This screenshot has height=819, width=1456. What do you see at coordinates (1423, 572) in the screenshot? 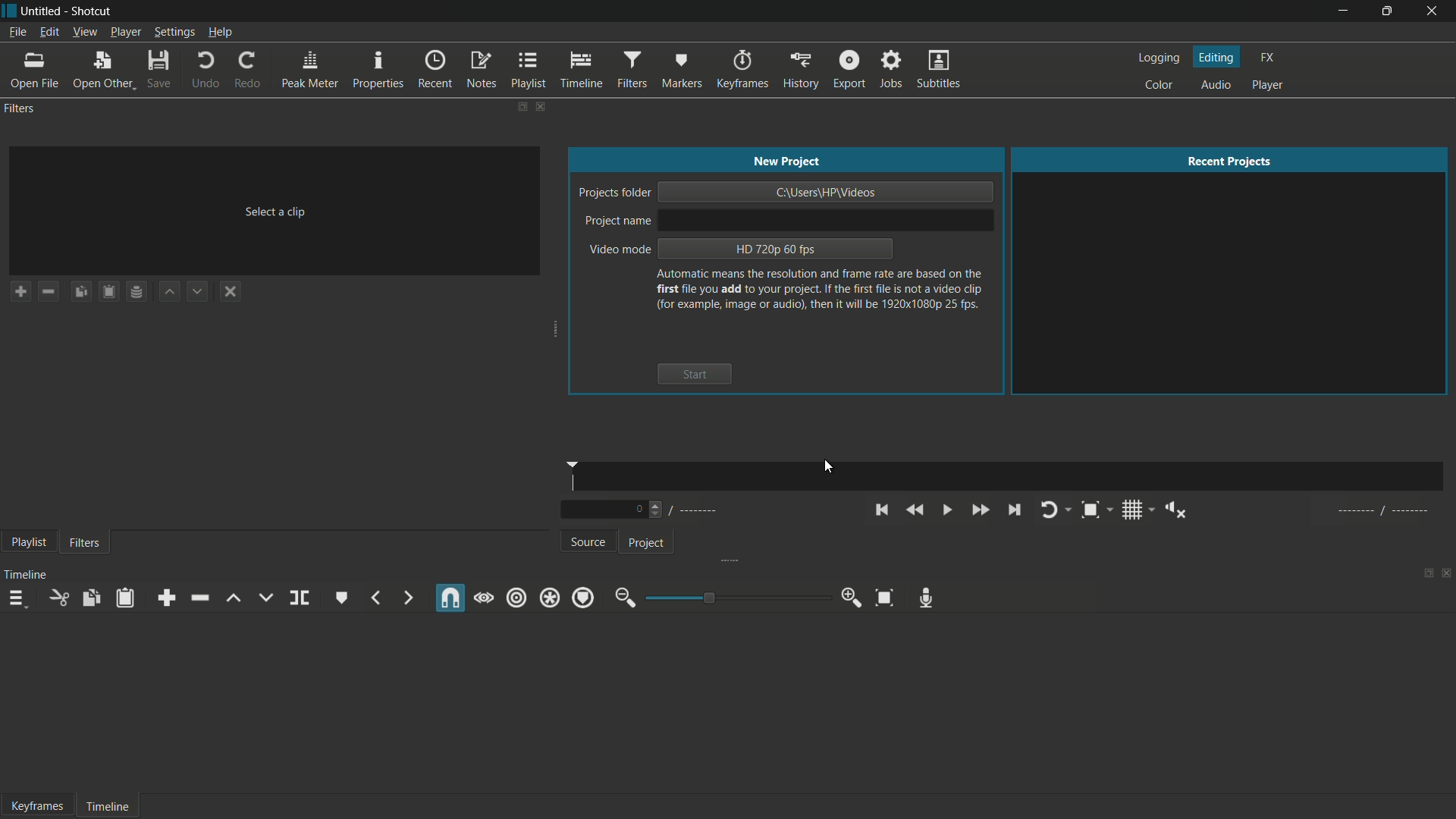
I see `change layout` at bounding box center [1423, 572].